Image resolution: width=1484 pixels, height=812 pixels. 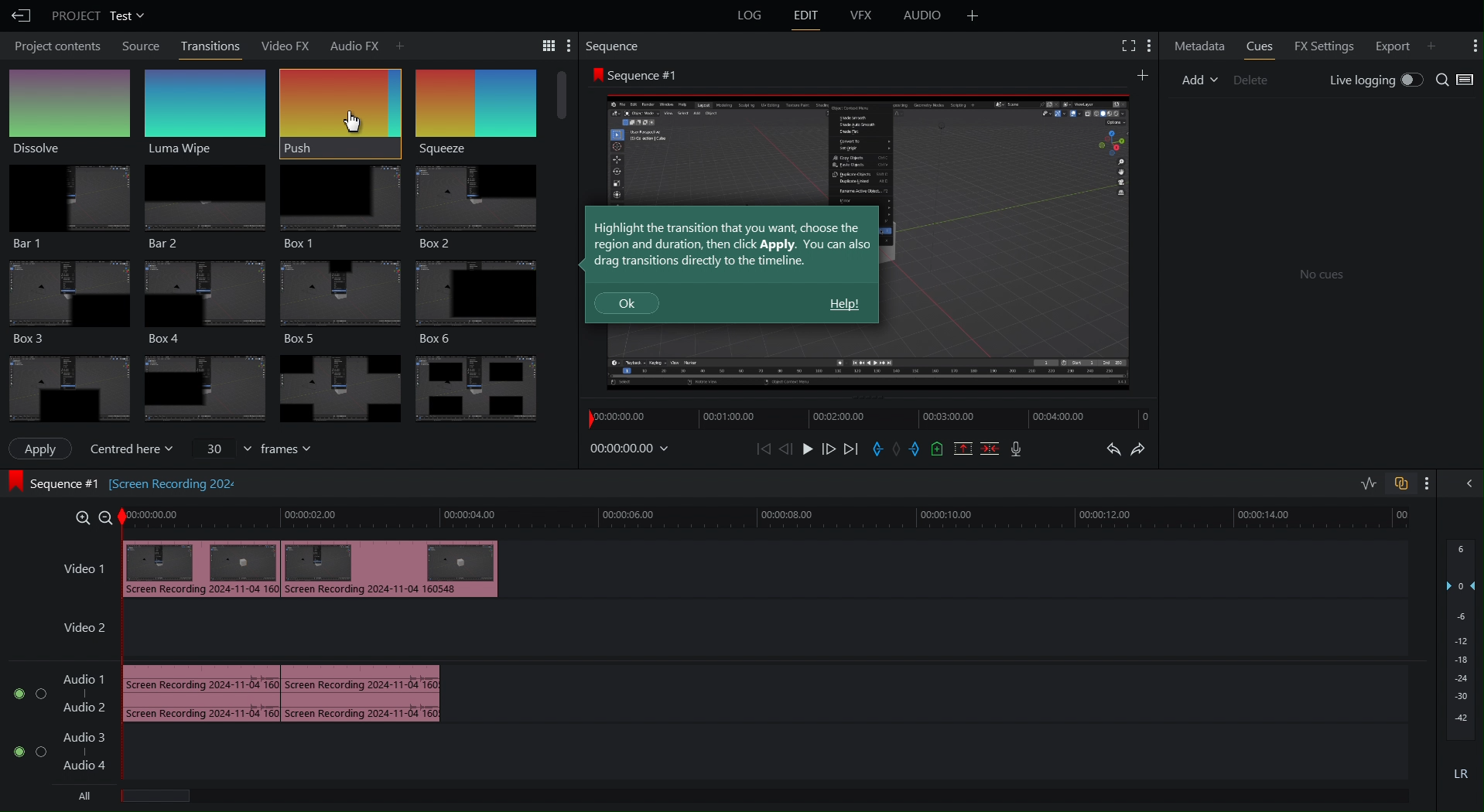 I want to click on Timeline, so click(x=854, y=421).